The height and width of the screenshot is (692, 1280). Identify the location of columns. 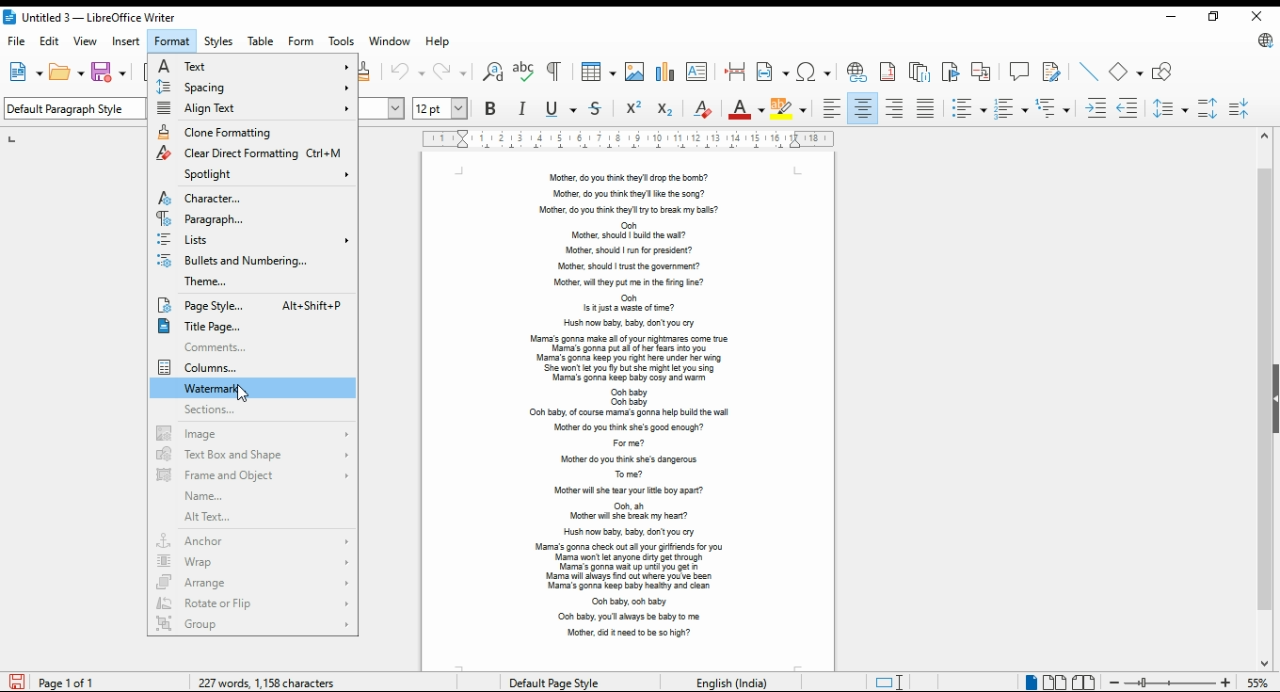
(253, 365).